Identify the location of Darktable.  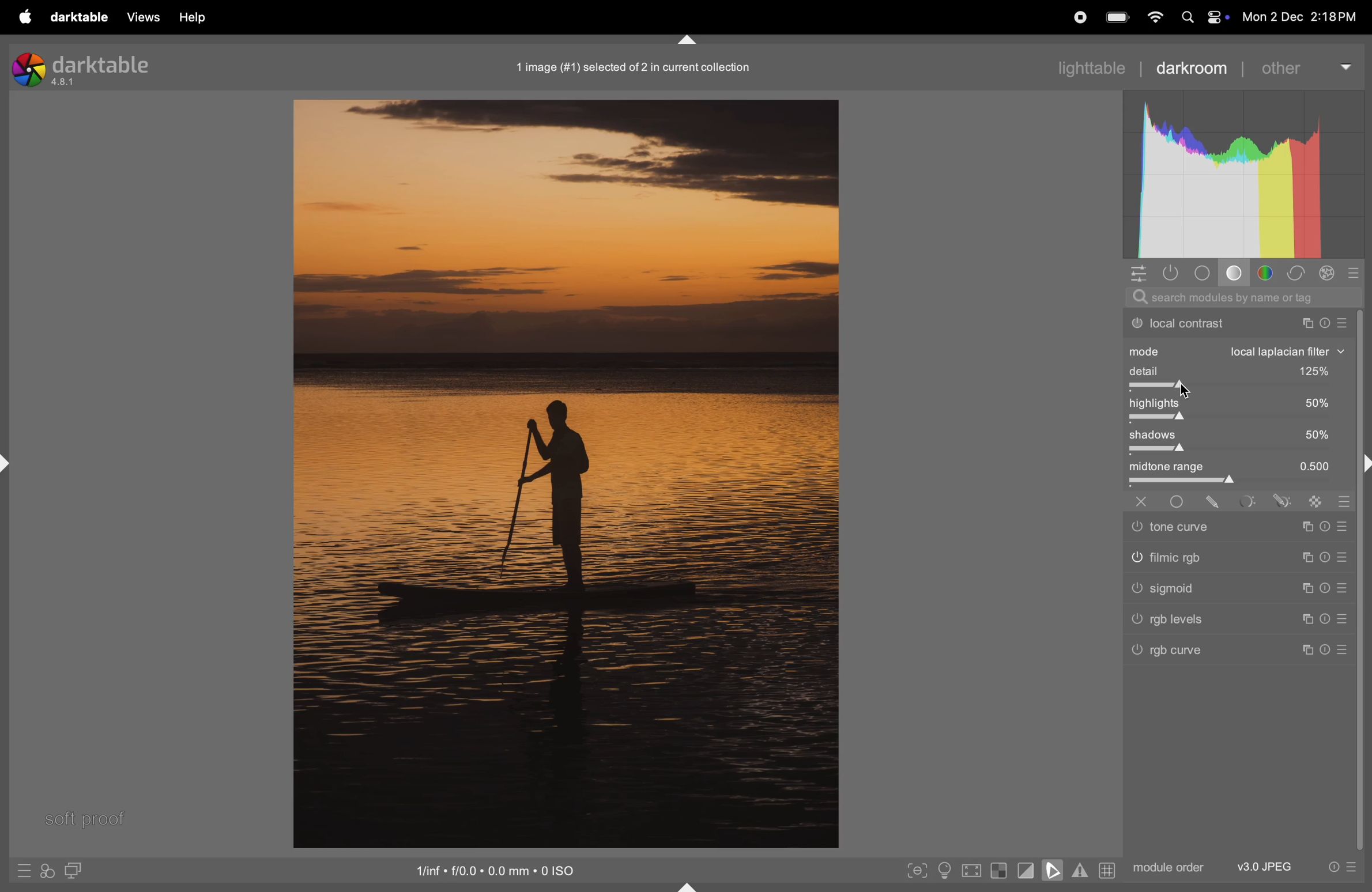
(87, 68).